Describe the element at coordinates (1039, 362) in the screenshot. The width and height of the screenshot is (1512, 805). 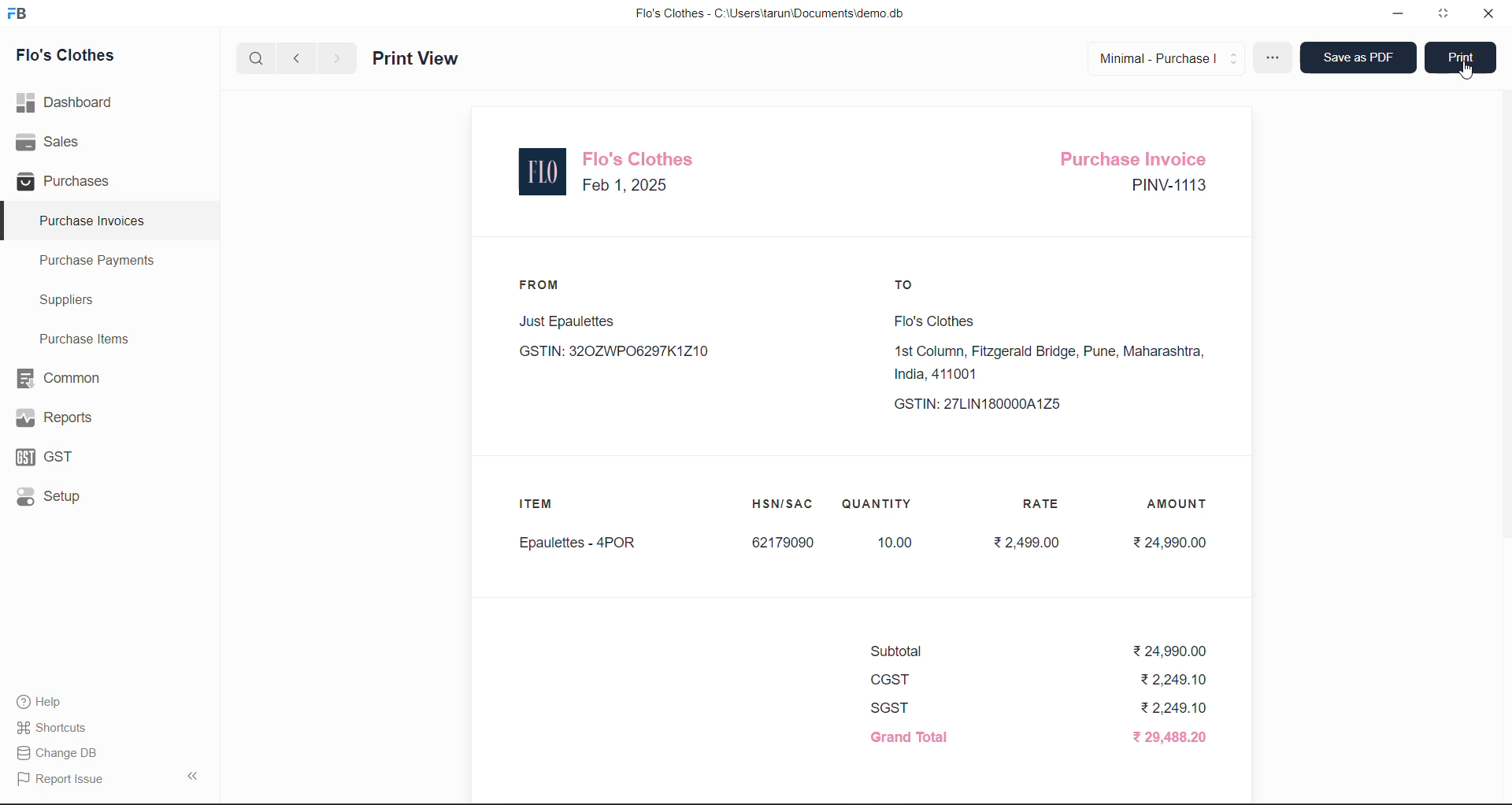
I see `Flo's Clothes1st Column, Fitzgerald Bridge, Pune, Maharashtra,India, 411001 GSTIN: 27LIN180000A1Z5` at that location.